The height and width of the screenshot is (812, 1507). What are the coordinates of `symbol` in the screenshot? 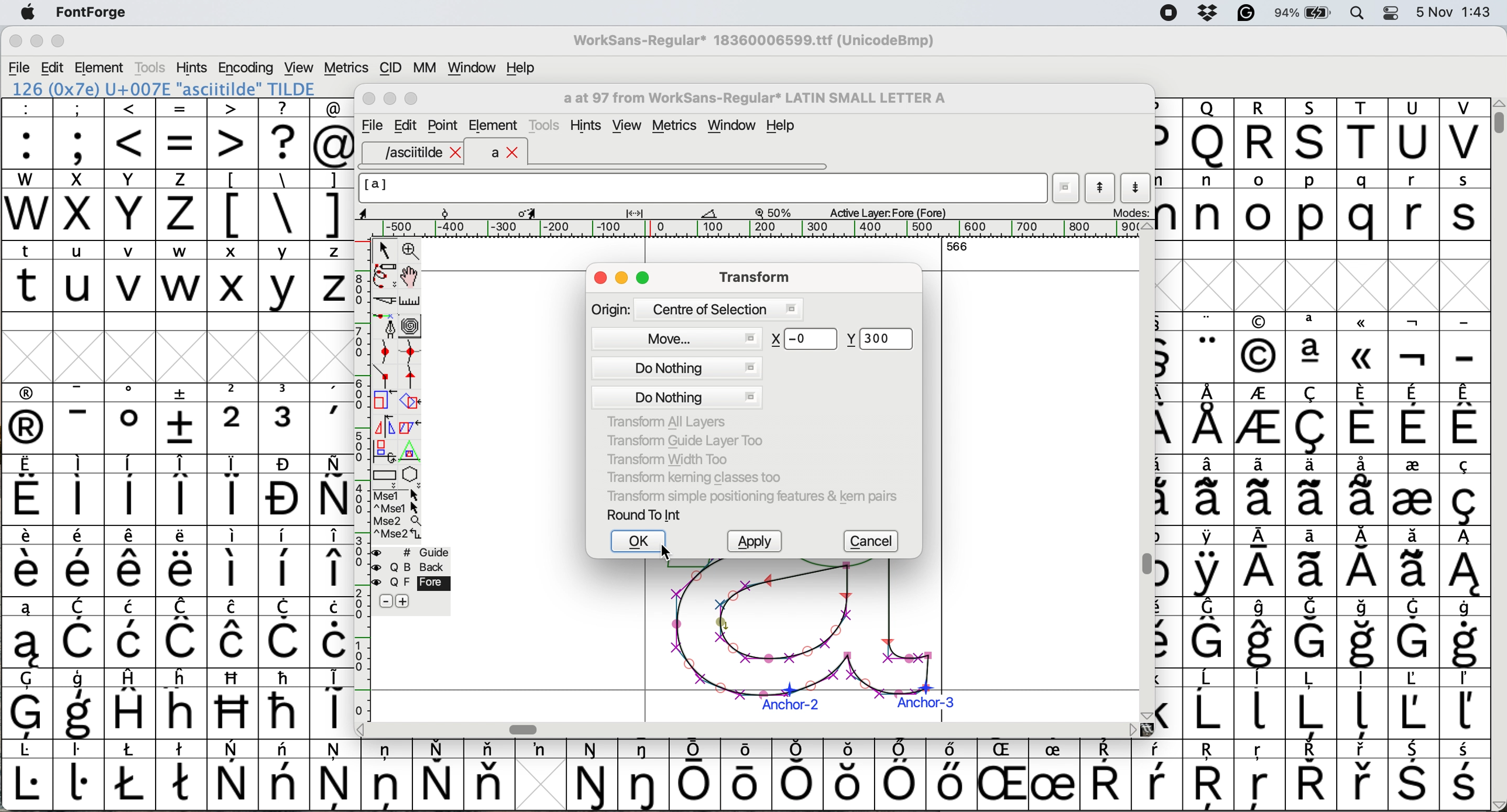 It's located at (334, 632).